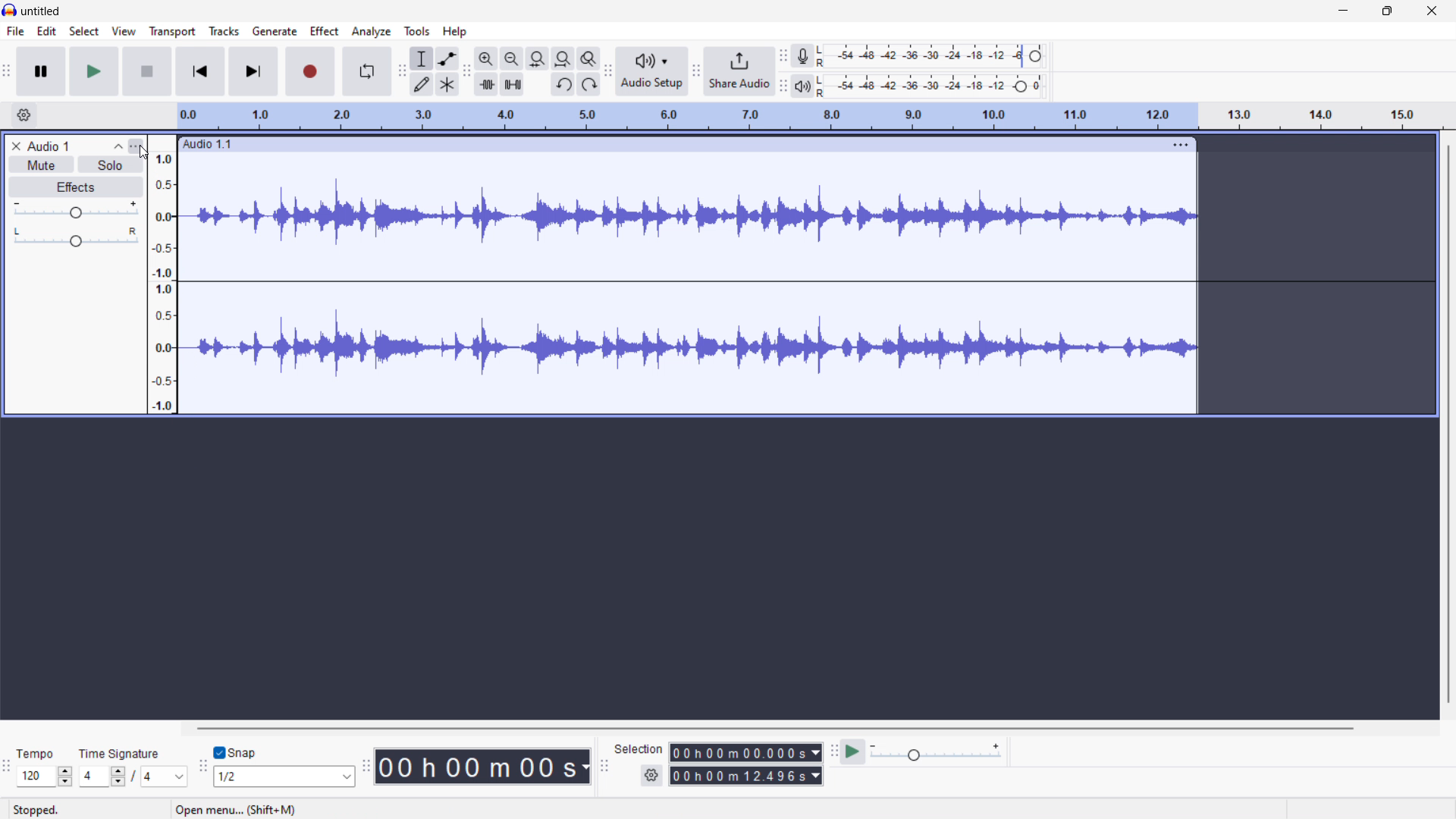  I want to click on draw tool, so click(422, 83).